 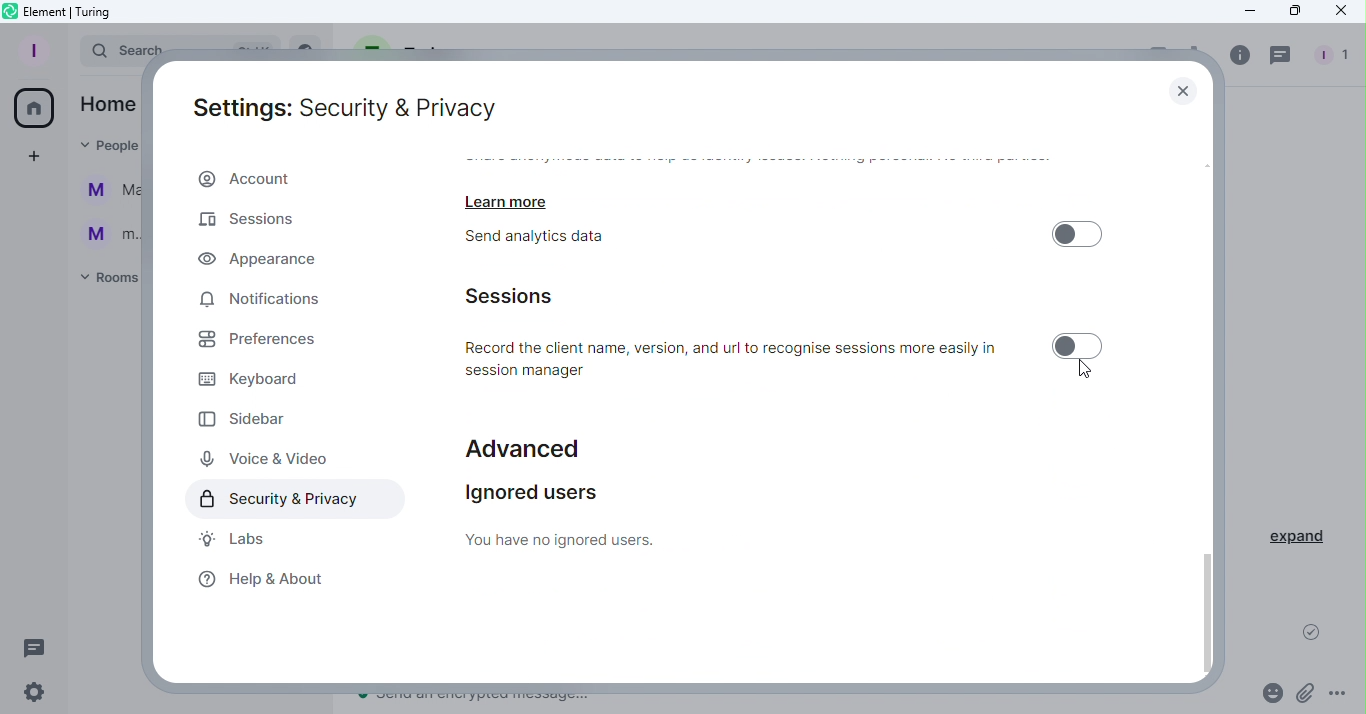 I want to click on Martina Tornello, so click(x=107, y=193).